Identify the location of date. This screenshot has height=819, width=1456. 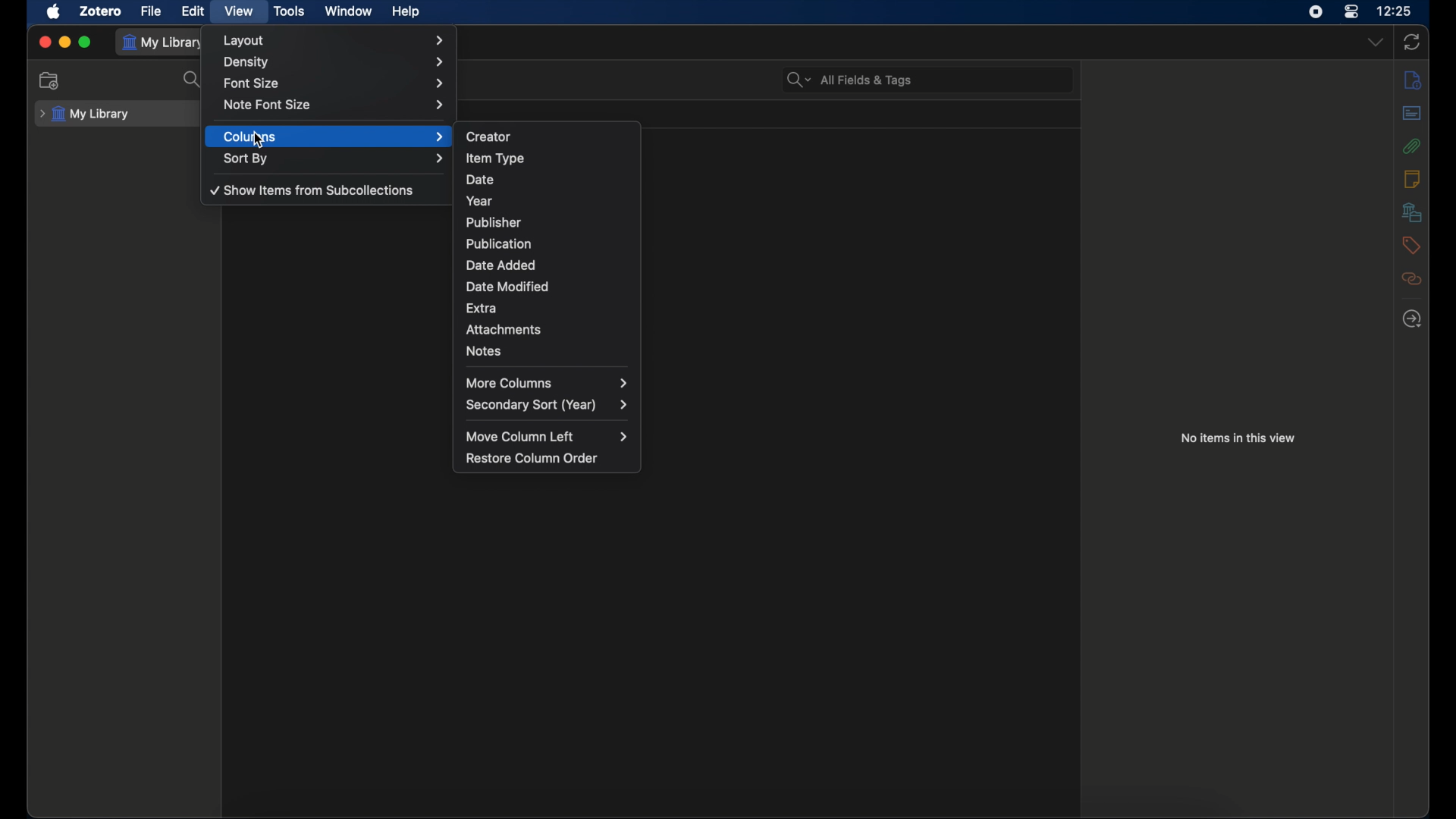
(479, 180).